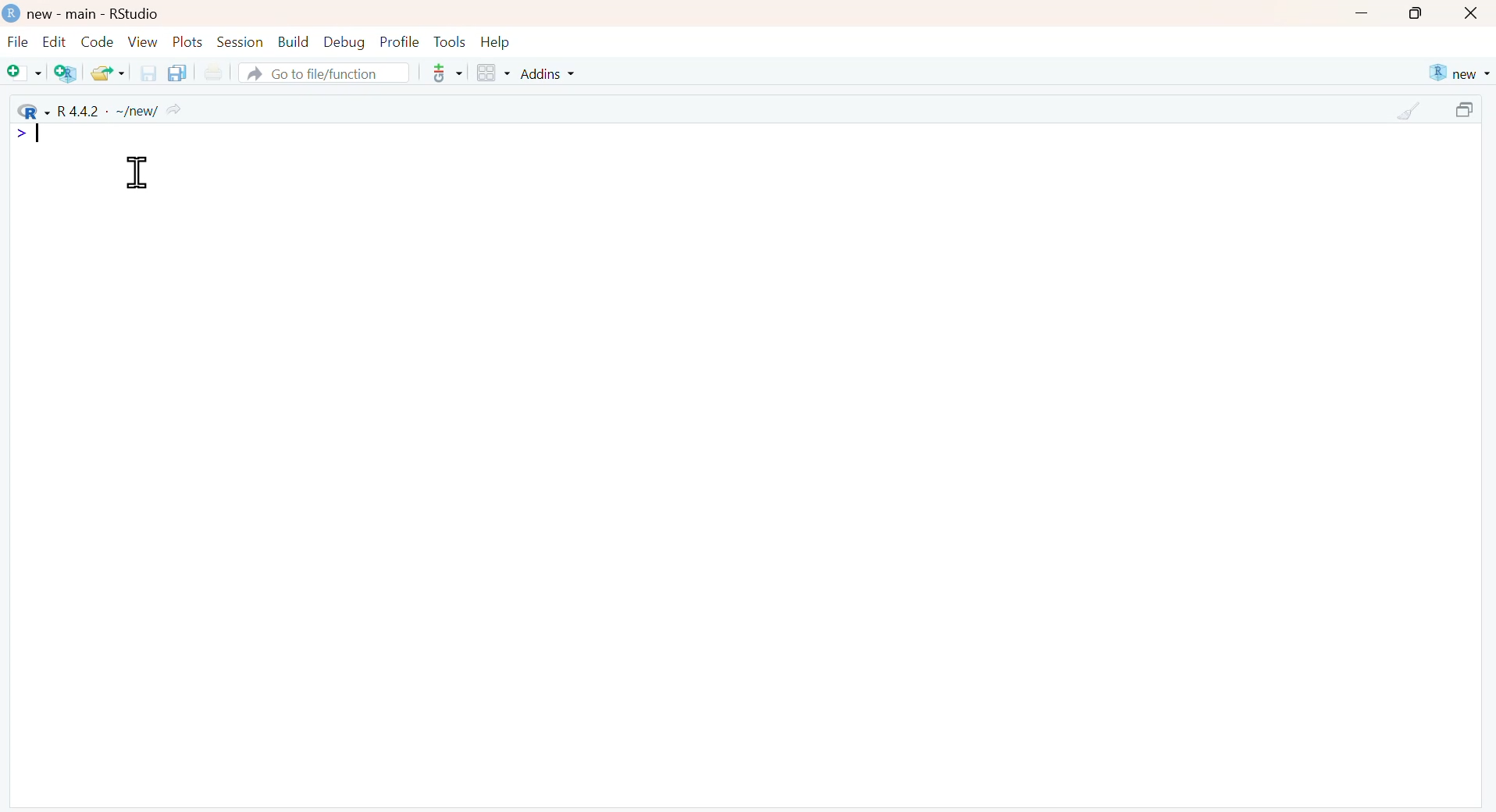  Describe the element at coordinates (31, 135) in the screenshot. I see `typing cursor` at that location.